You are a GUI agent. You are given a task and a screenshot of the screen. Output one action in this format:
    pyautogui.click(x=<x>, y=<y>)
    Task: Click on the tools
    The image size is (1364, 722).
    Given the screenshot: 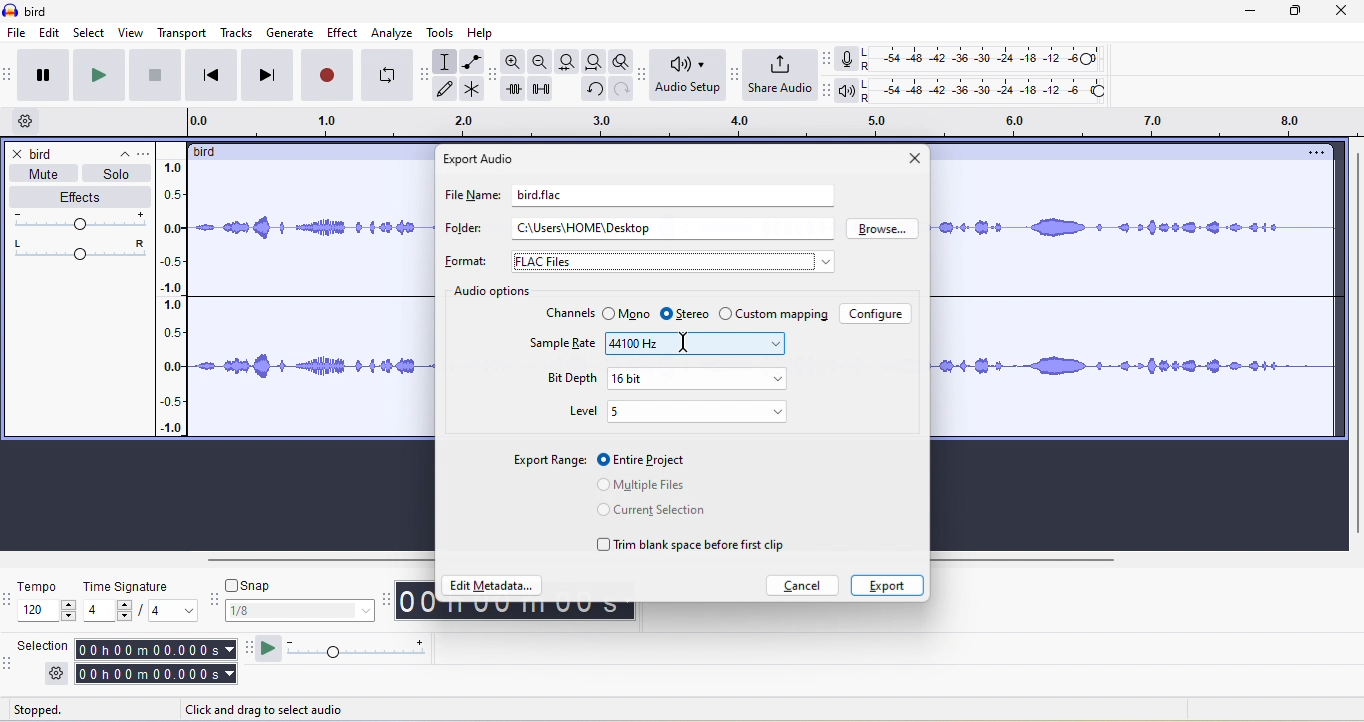 What is the action you would take?
    pyautogui.click(x=444, y=35)
    